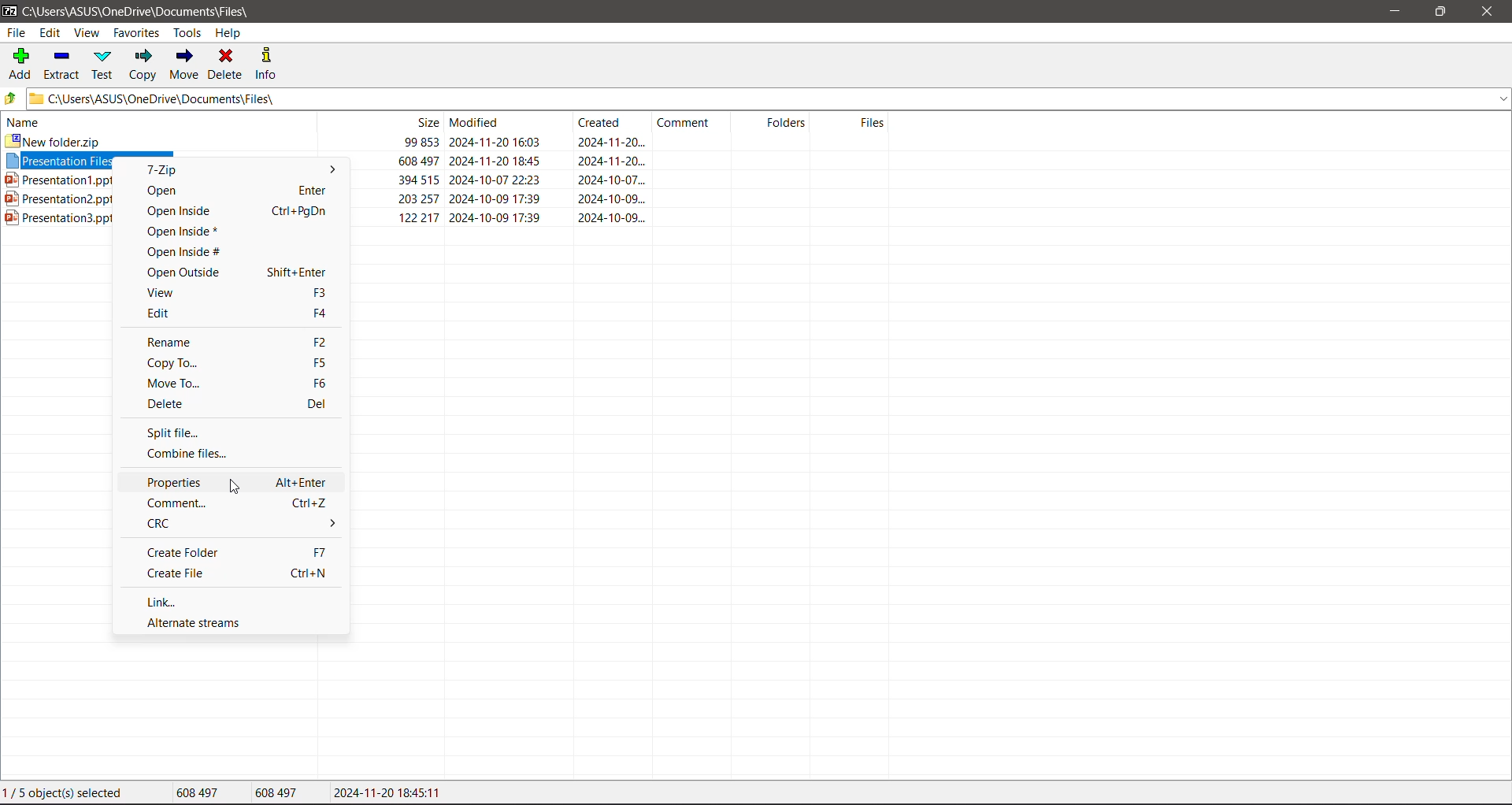 This screenshot has height=805, width=1512. Describe the element at coordinates (504, 123) in the screenshot. I see `Modified` at that location.